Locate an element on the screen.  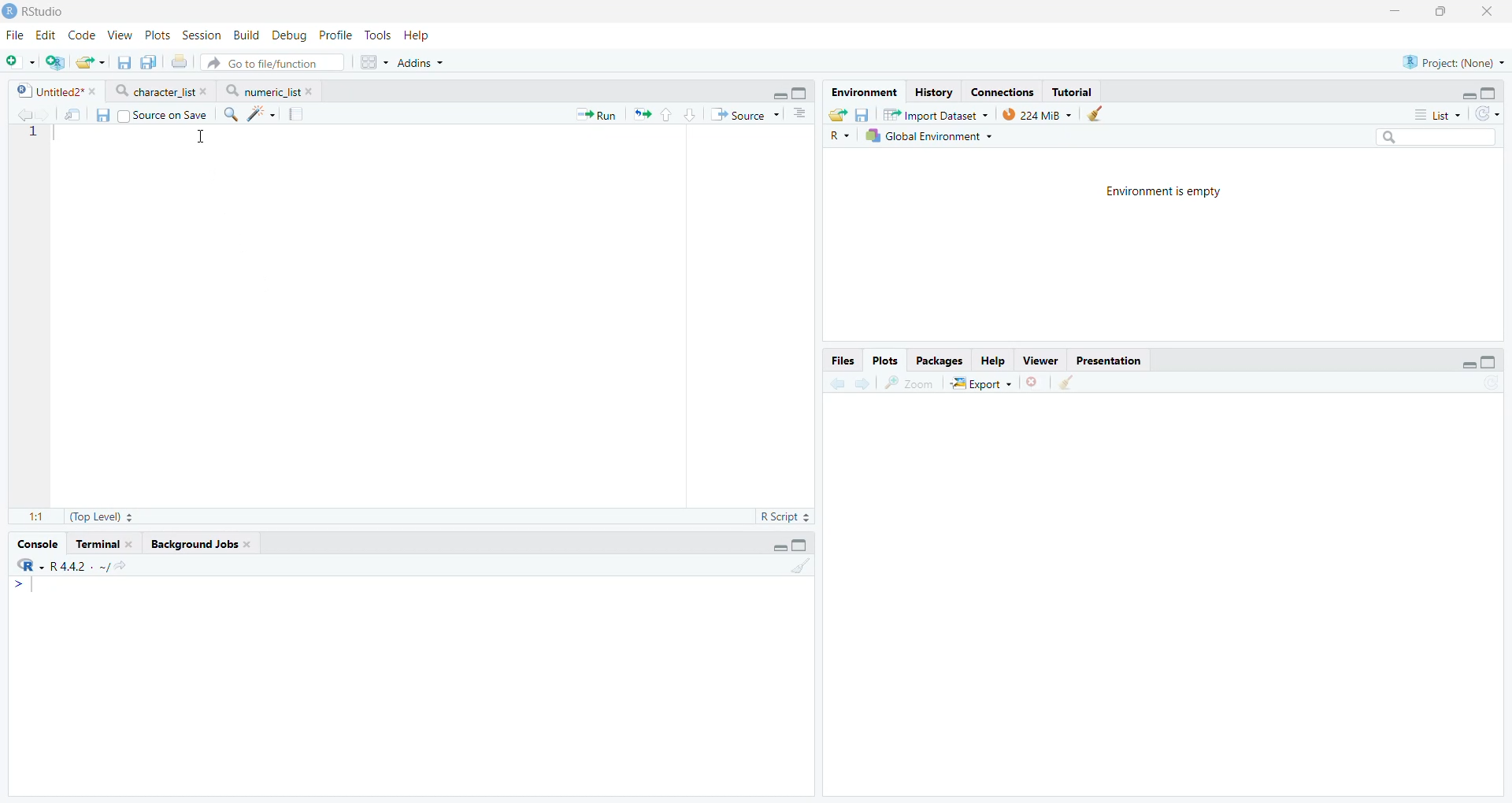
Open in new window is located at coordinates (74, 113).